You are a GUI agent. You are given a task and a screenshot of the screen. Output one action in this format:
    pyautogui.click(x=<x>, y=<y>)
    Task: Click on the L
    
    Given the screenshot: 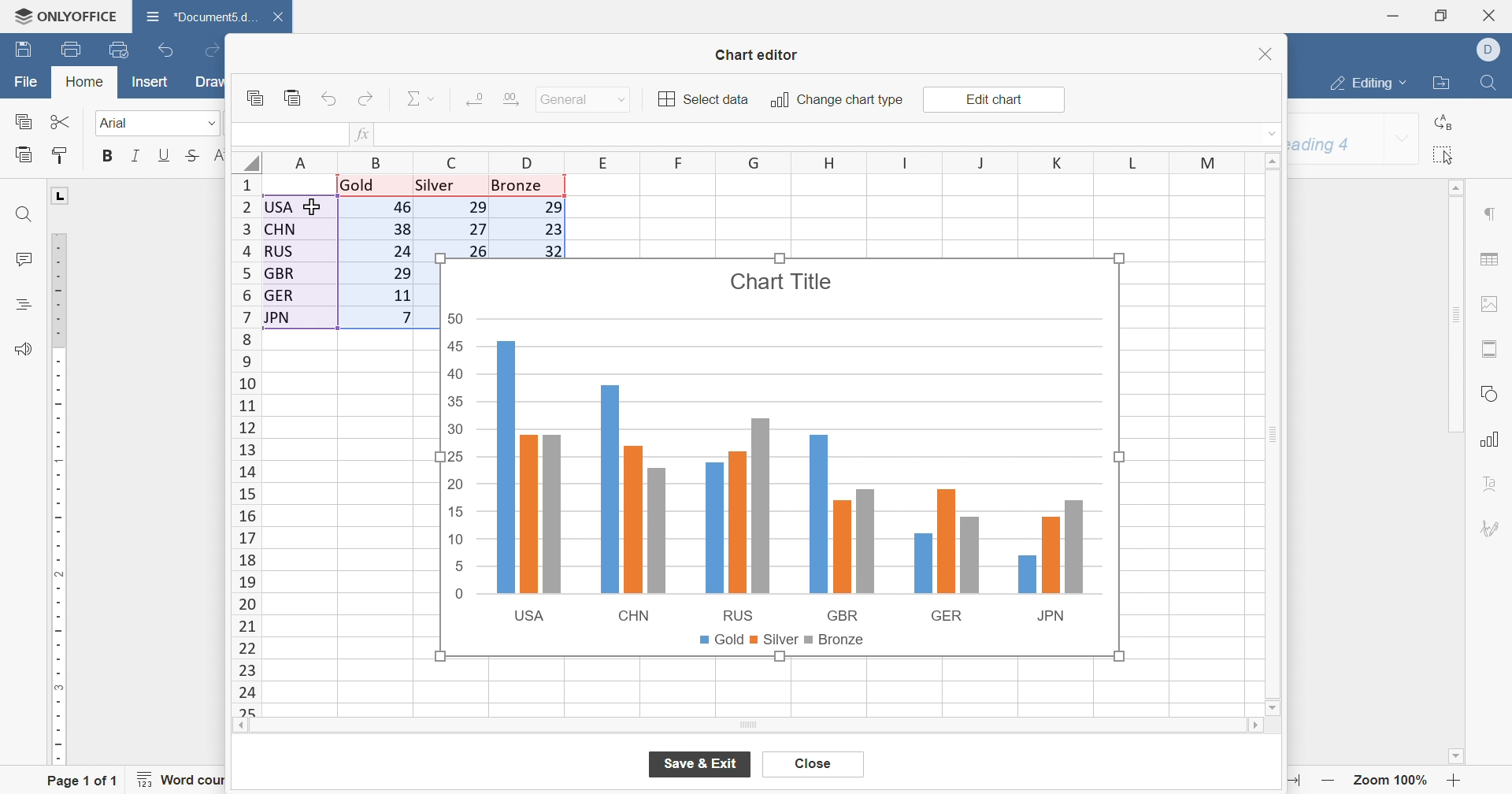 What is the action you would take?
    pyautogui.click(x=61, y=194)
    